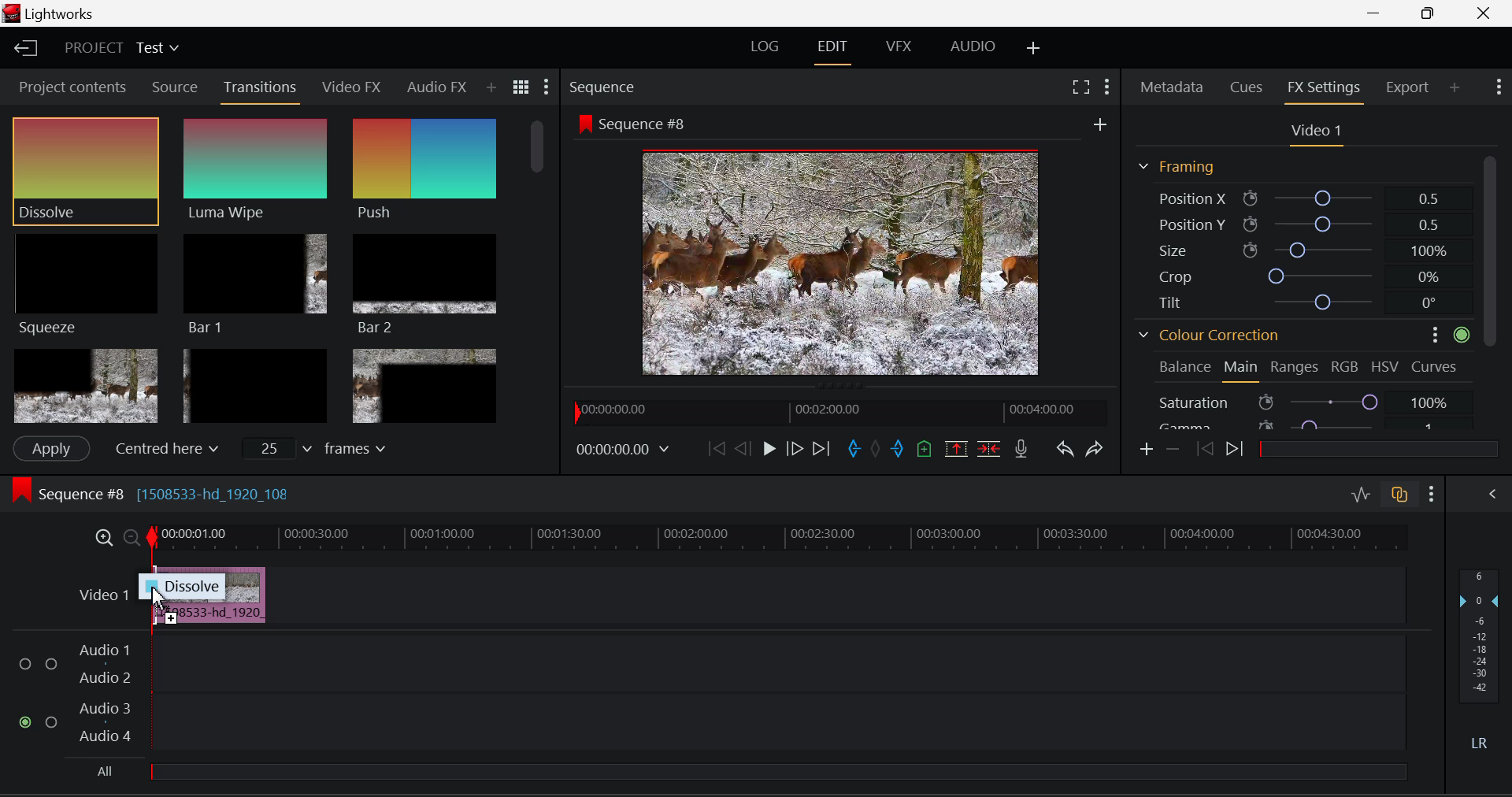 The height and width of the screenshot is (797, 1512). I want to click on Timeline Zoom Out, so click(132, 539).